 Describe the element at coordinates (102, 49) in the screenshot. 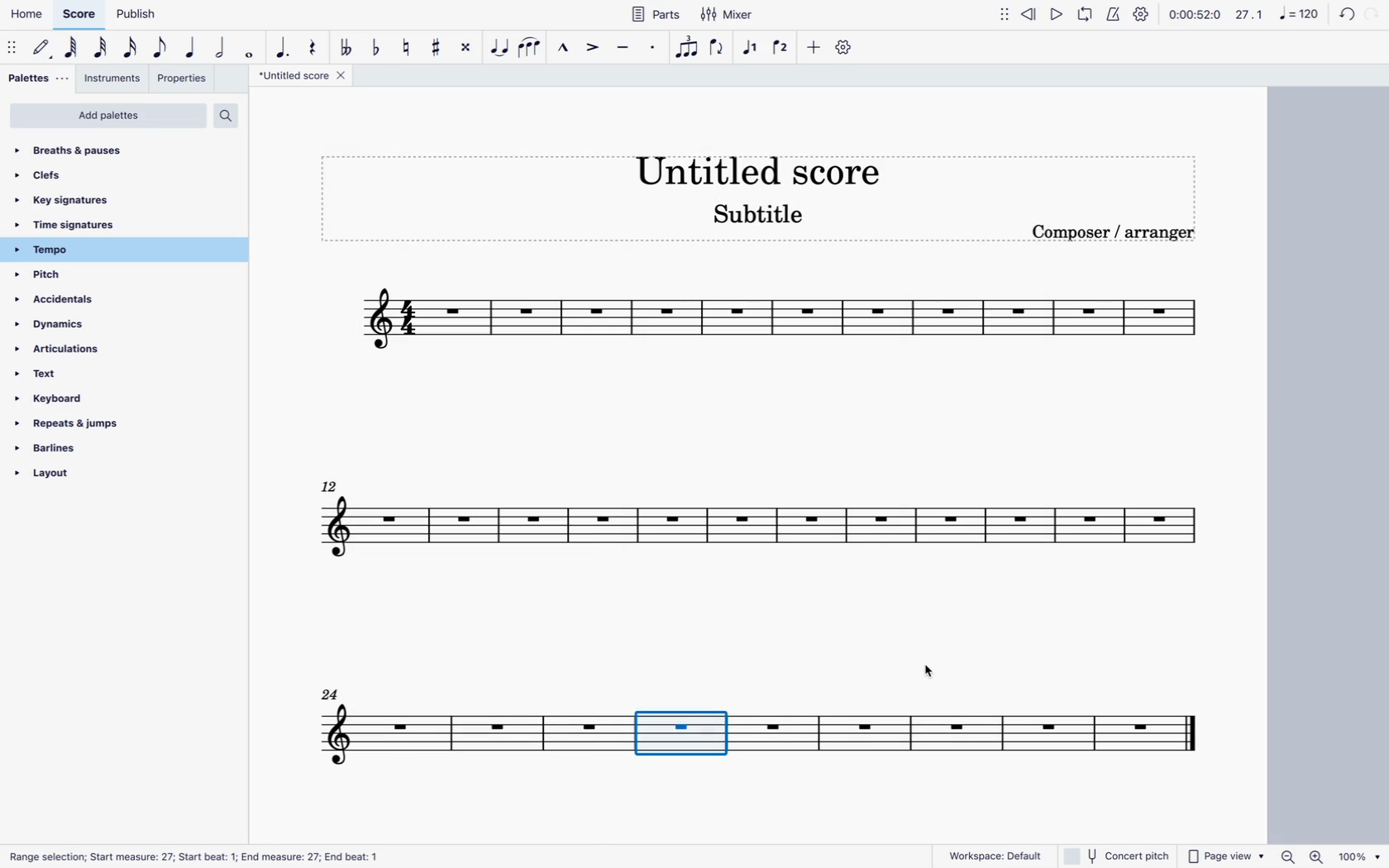

I see `32nd note` at that location.